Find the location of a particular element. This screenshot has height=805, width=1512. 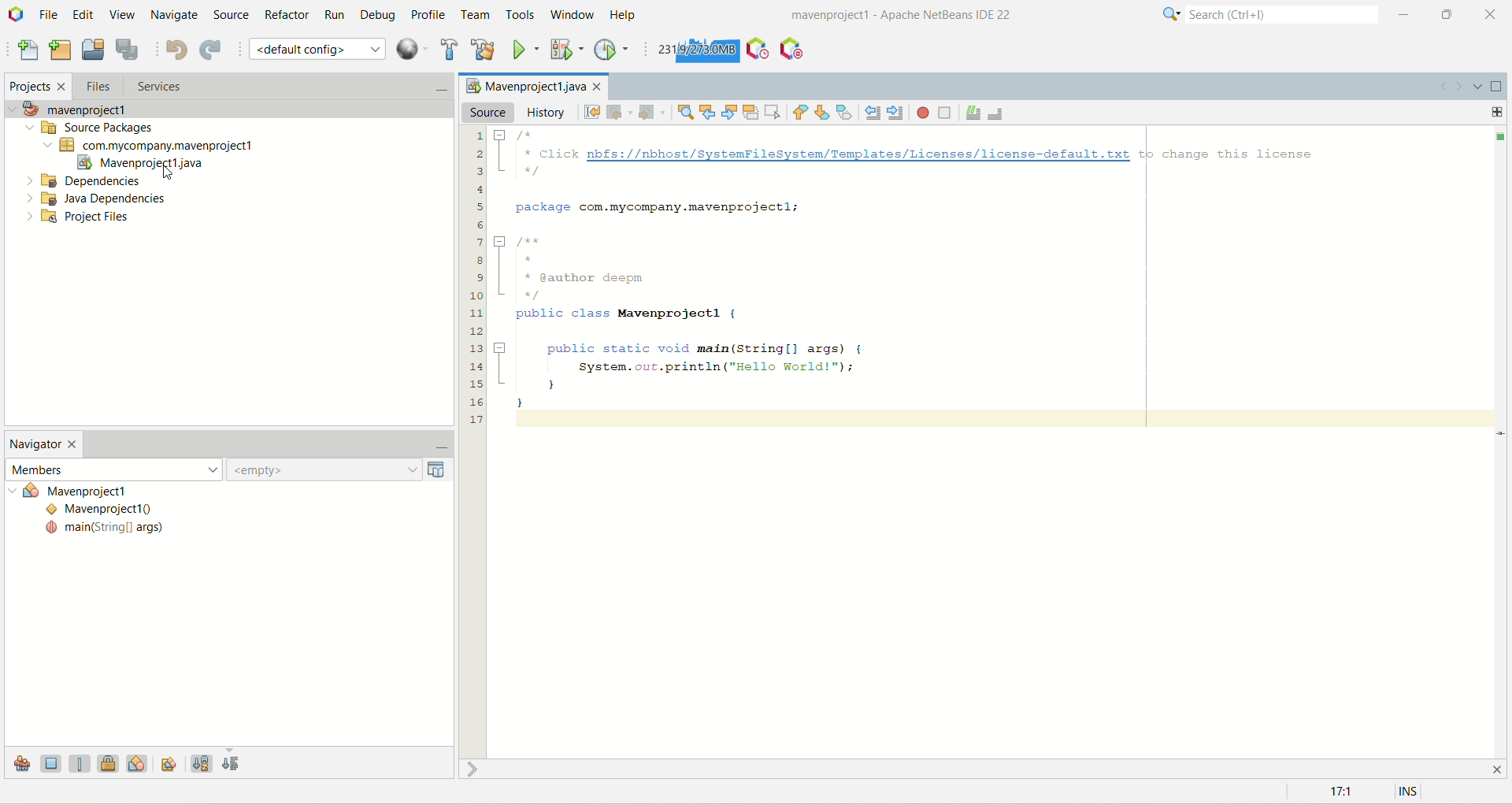

toggle bookmark is located at coordinates (847, 112).